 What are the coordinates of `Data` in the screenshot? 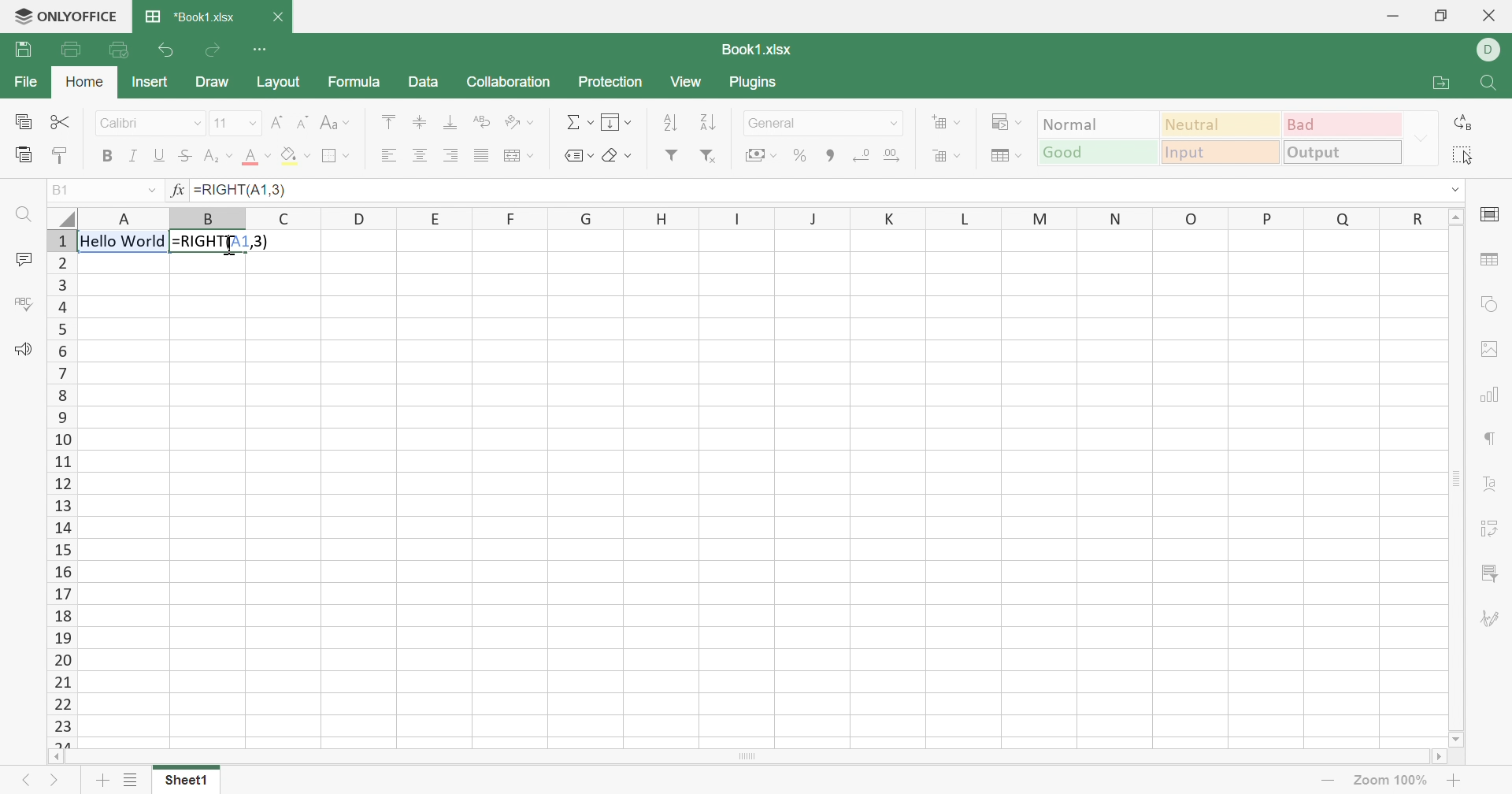 It's located at (418, 82).